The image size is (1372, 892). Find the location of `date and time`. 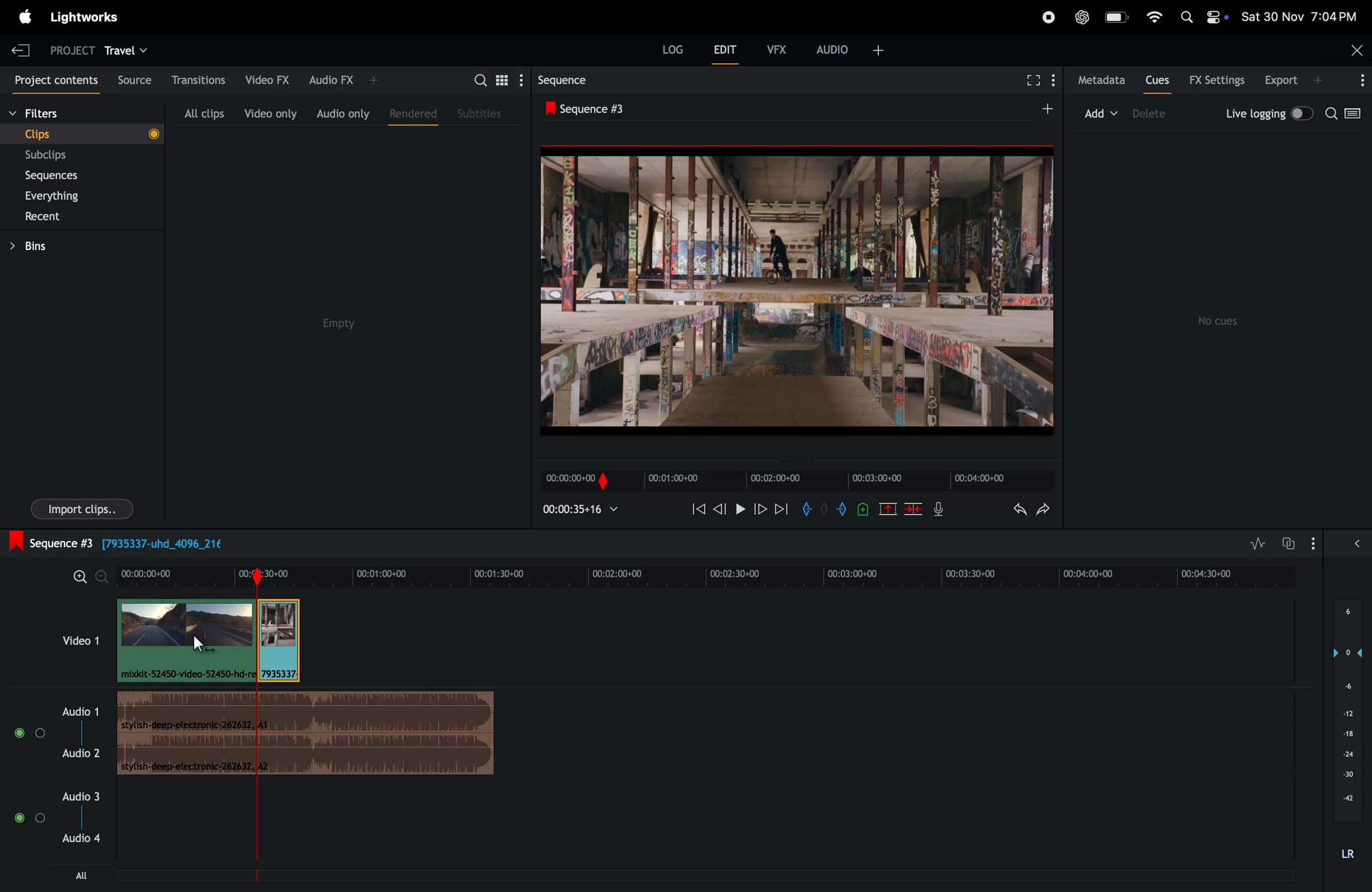

date and time is located at coordinates (1305, 16).